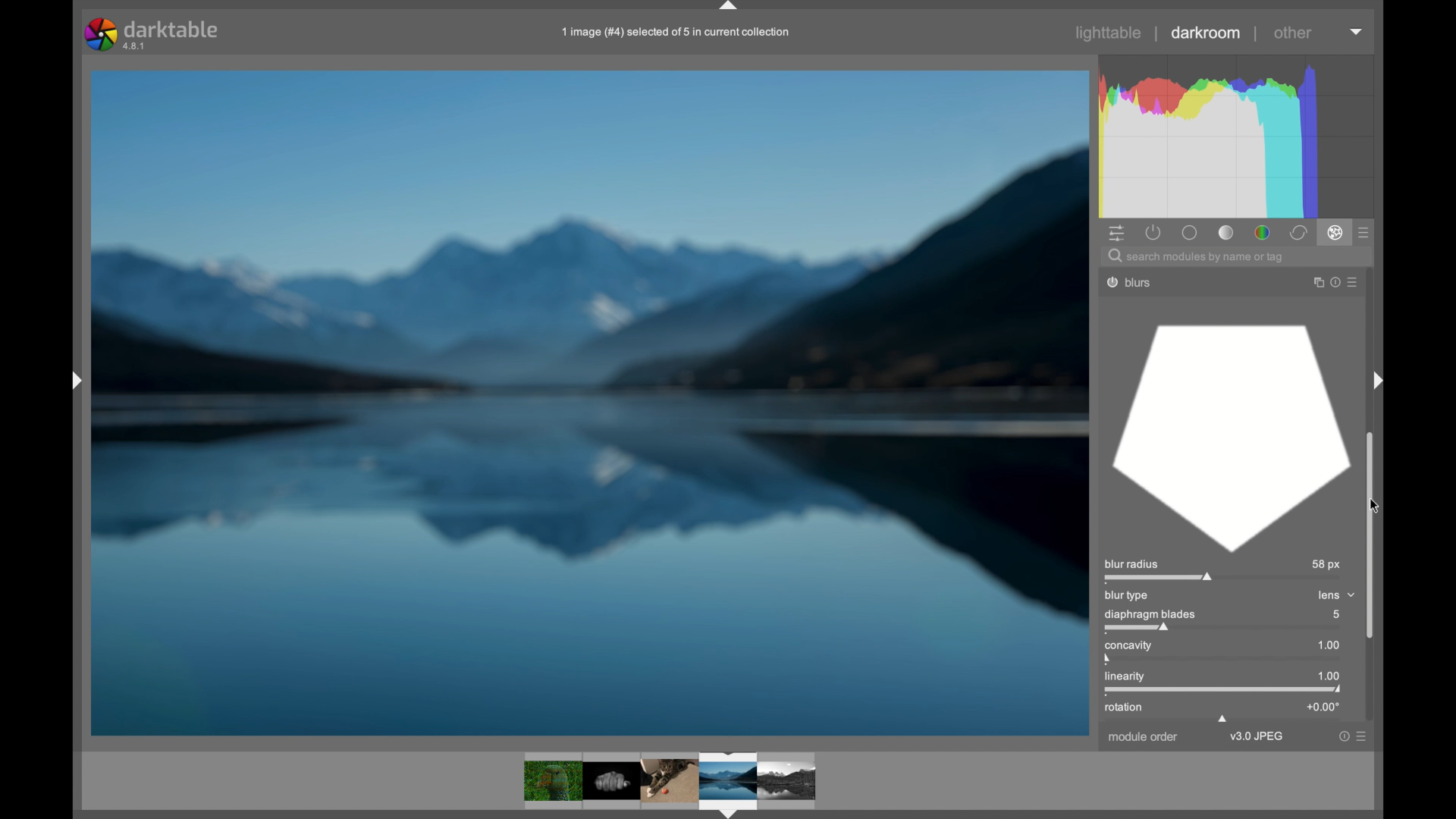  I want to click on slider, so click(1223, 660).